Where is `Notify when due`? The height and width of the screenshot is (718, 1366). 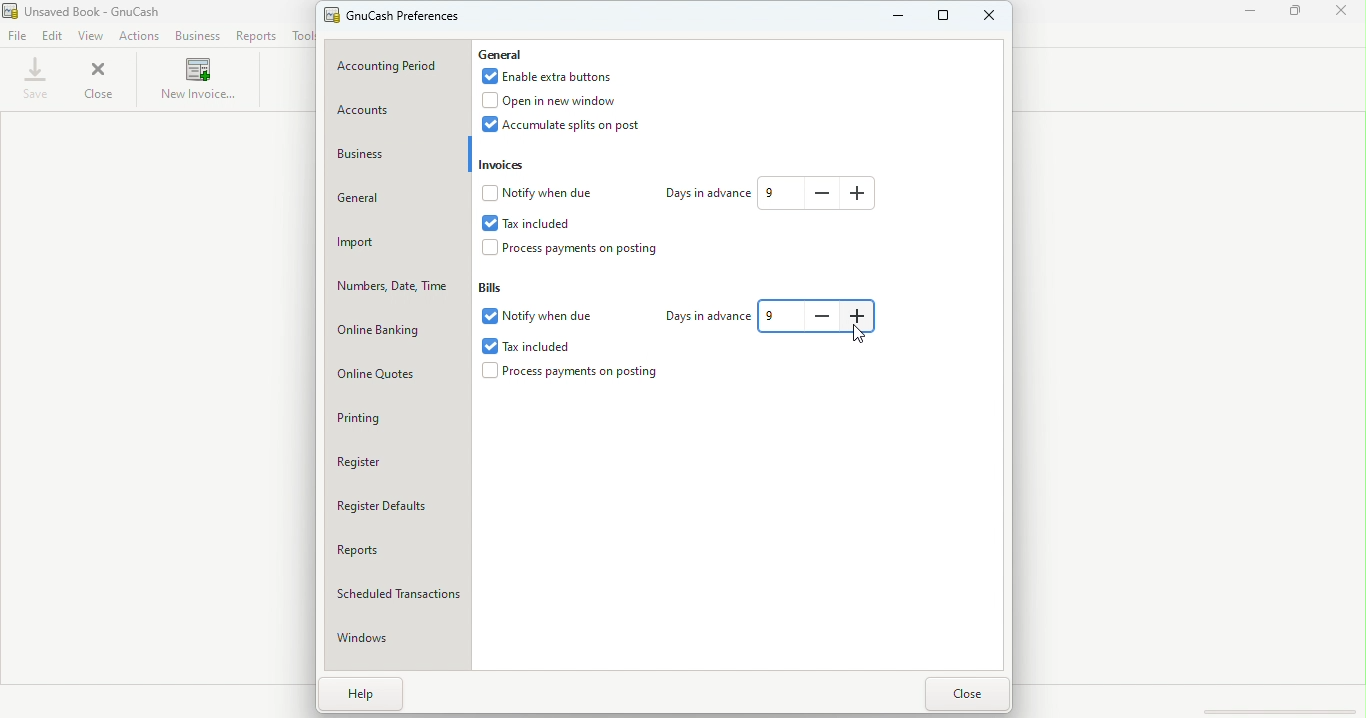
Notify when due is located at coordinates (541, 194).